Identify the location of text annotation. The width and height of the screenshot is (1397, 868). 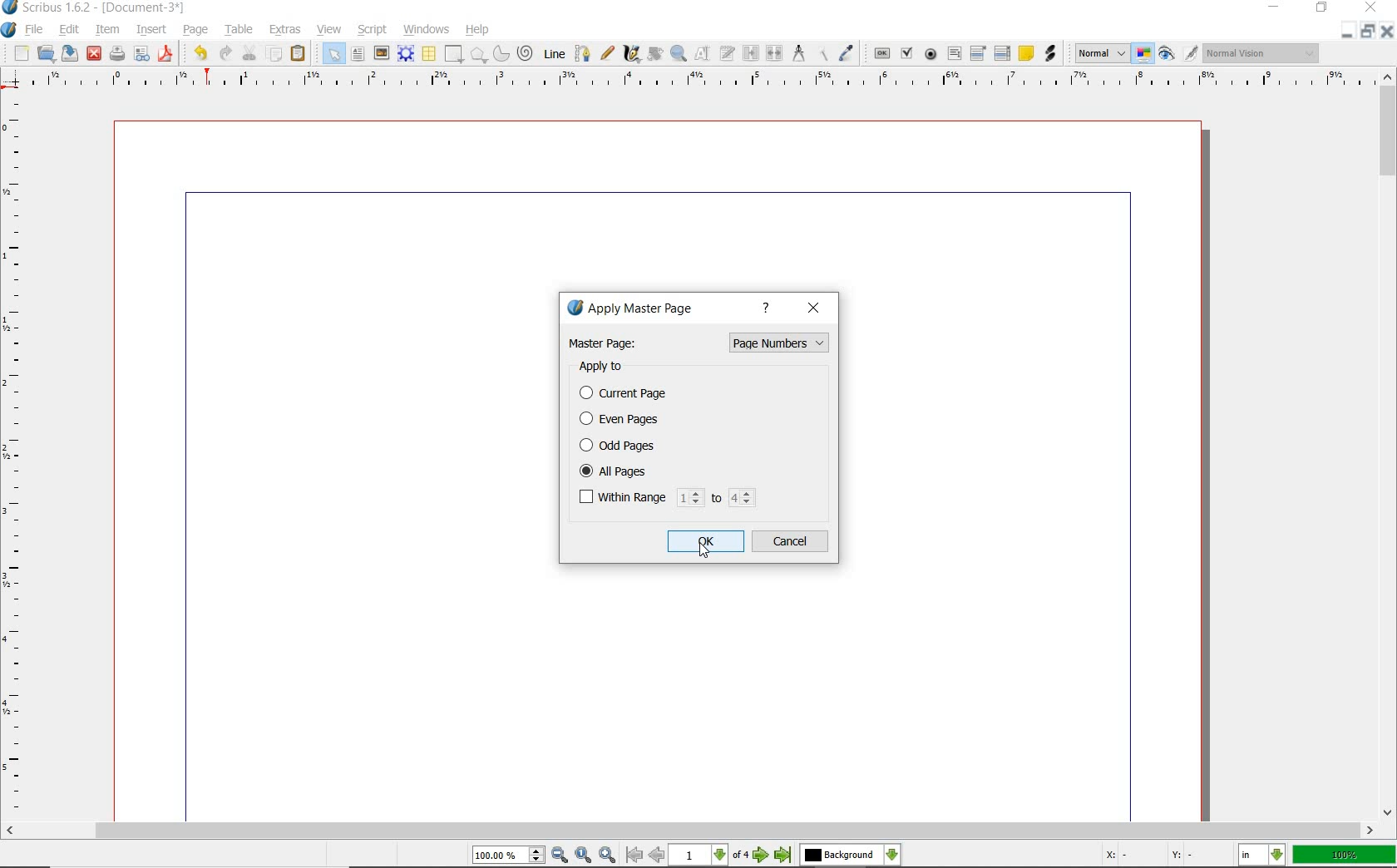
(1024, 53).